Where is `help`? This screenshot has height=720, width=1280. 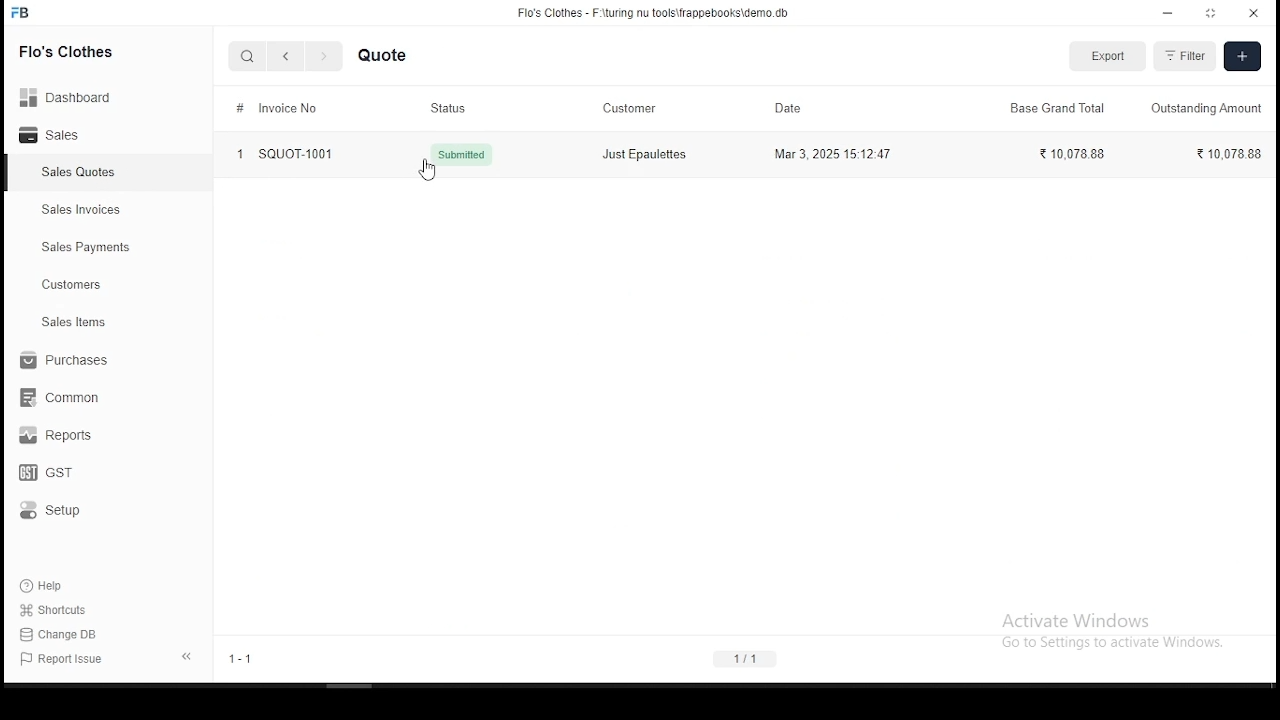
help is located at coordinates (48, 585).